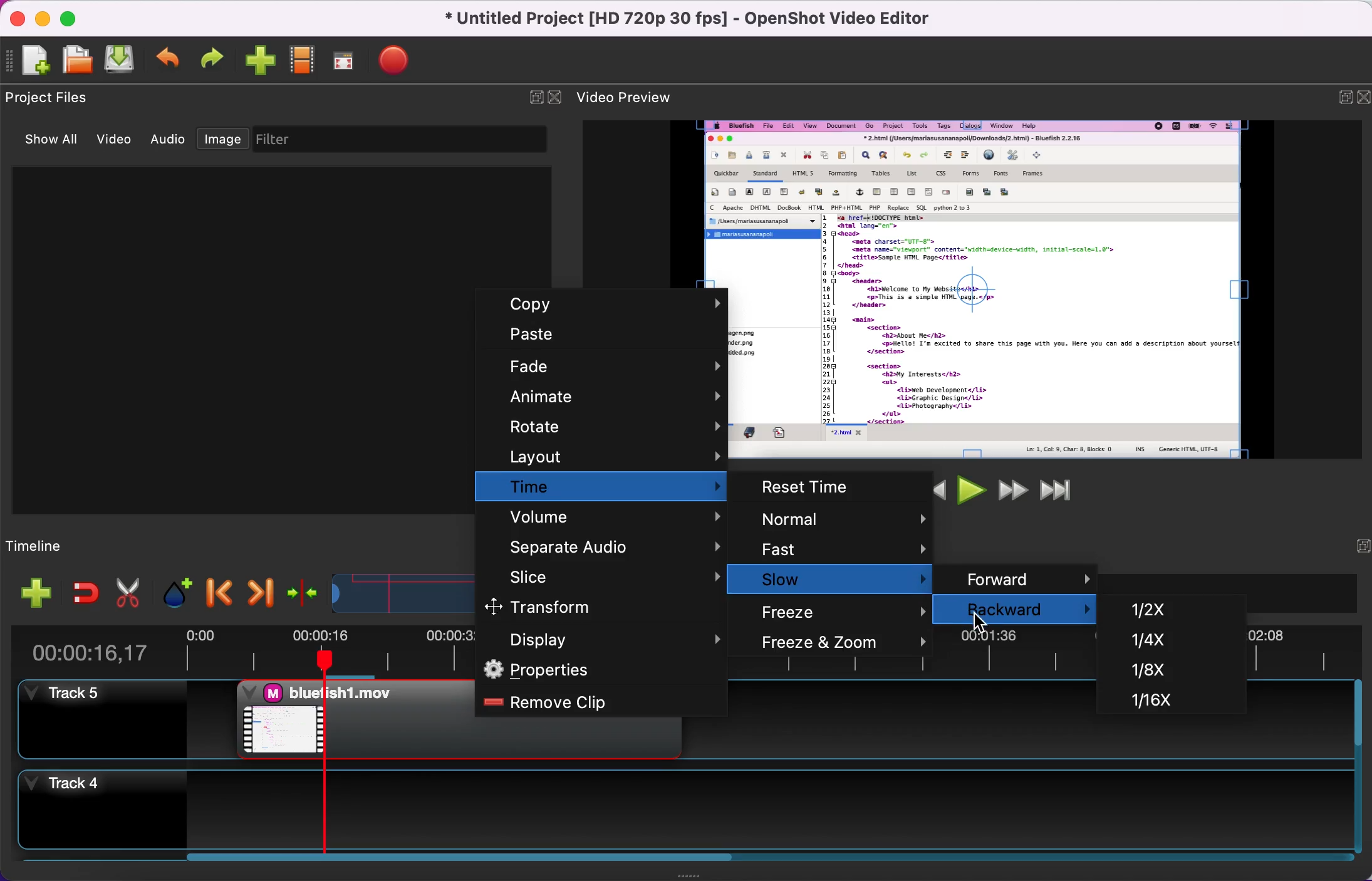 This screenshot has width=1372, height=881. I want to click on title - Untitled Project [HD 720p 30 fps] - OpenShot Video Editor, so click(689, 19).